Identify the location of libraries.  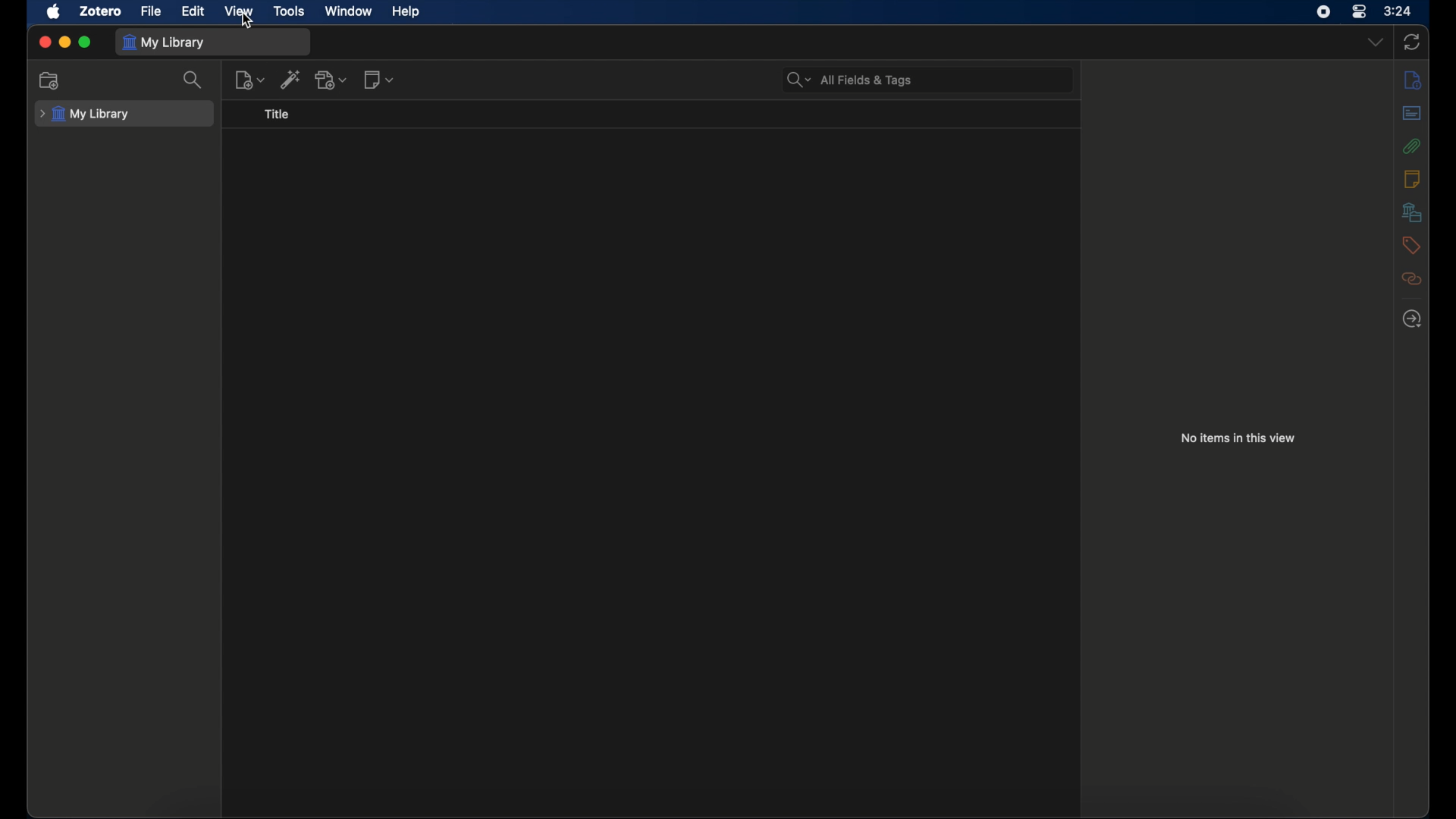
(1411, 212).